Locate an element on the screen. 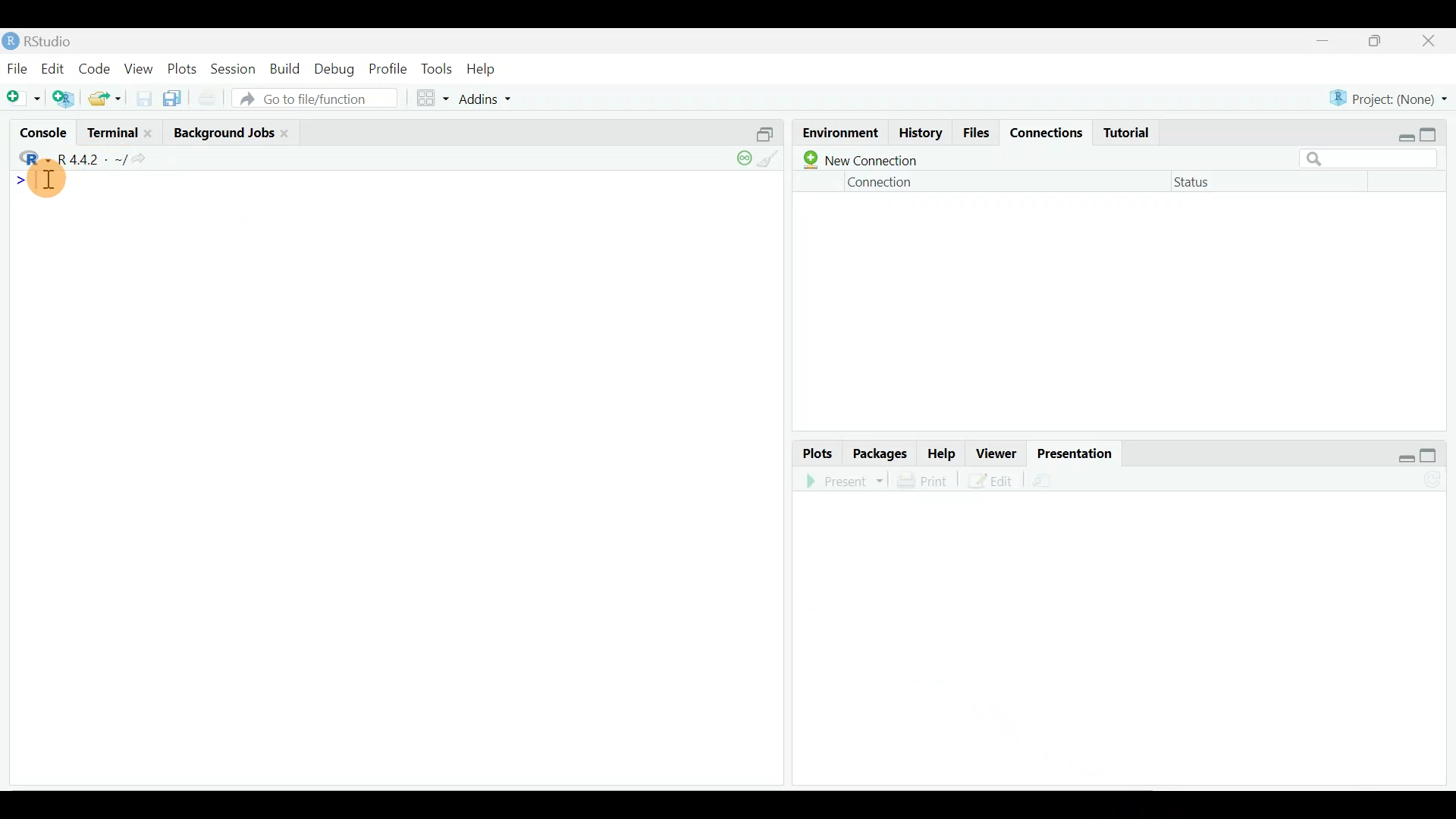  Edit is located at coordinates (991, 482).